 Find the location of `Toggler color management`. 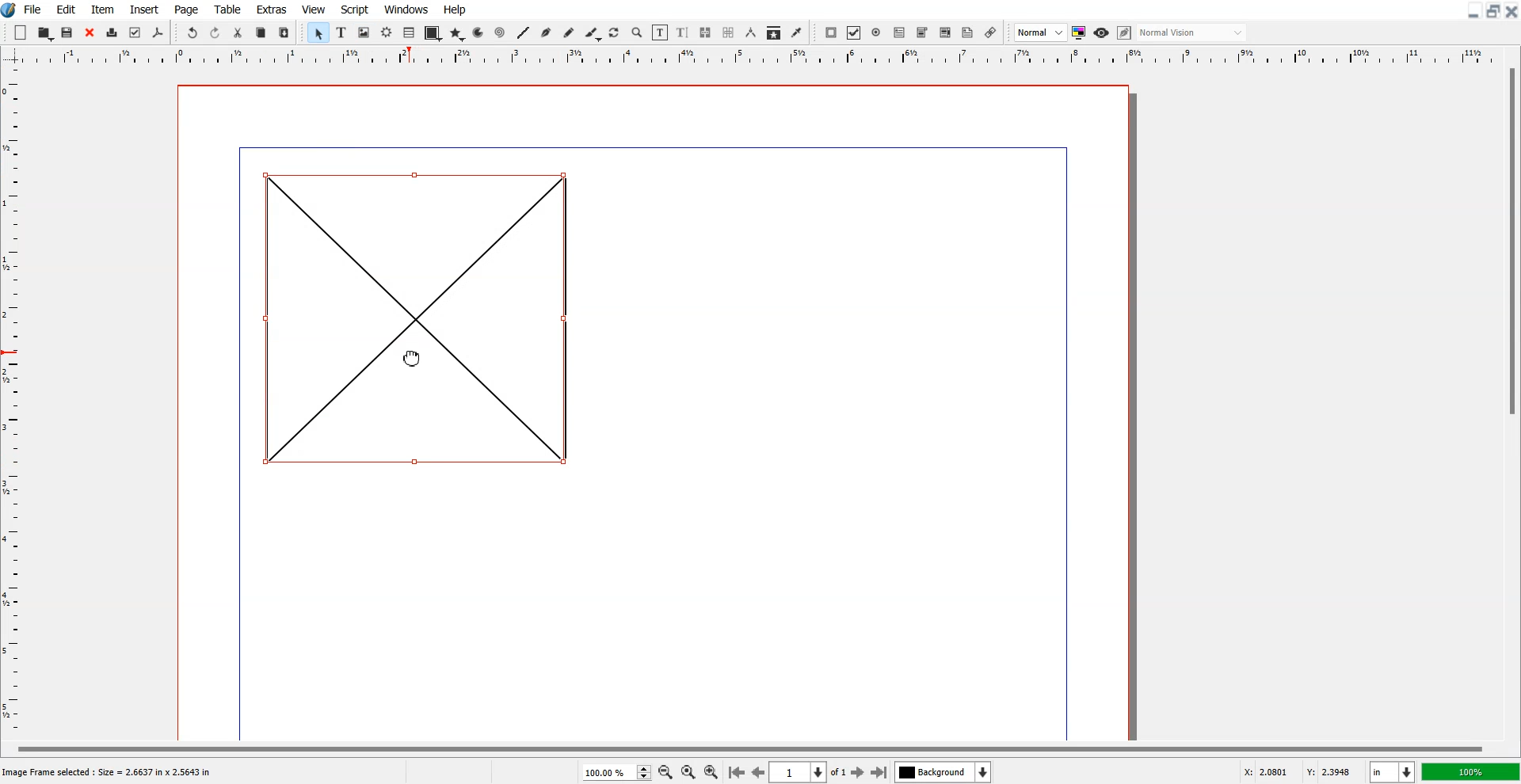

Toggler color management is located at coordinates (1079, 32).